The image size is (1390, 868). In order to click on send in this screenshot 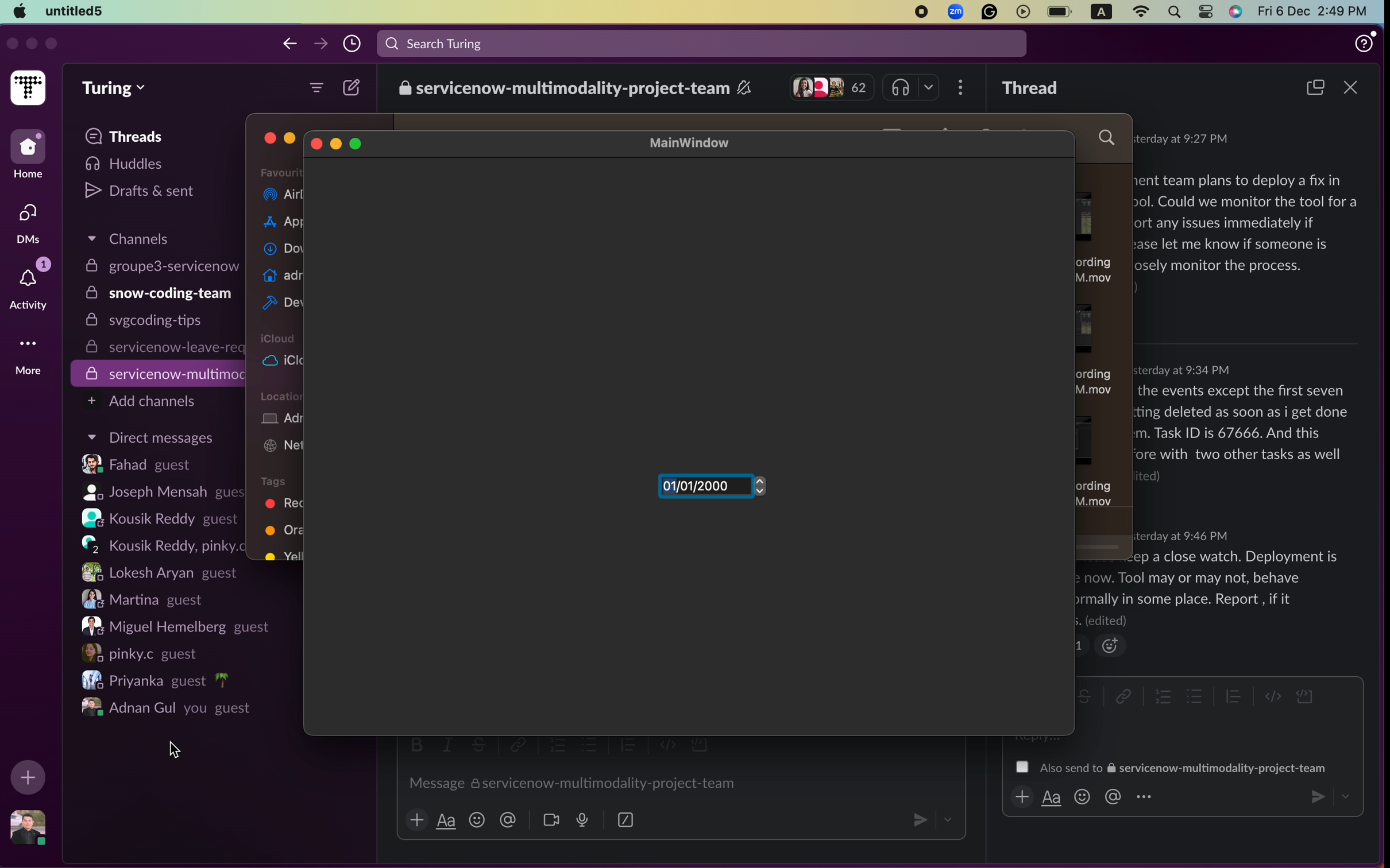, I will do `click(1314, 796)`.